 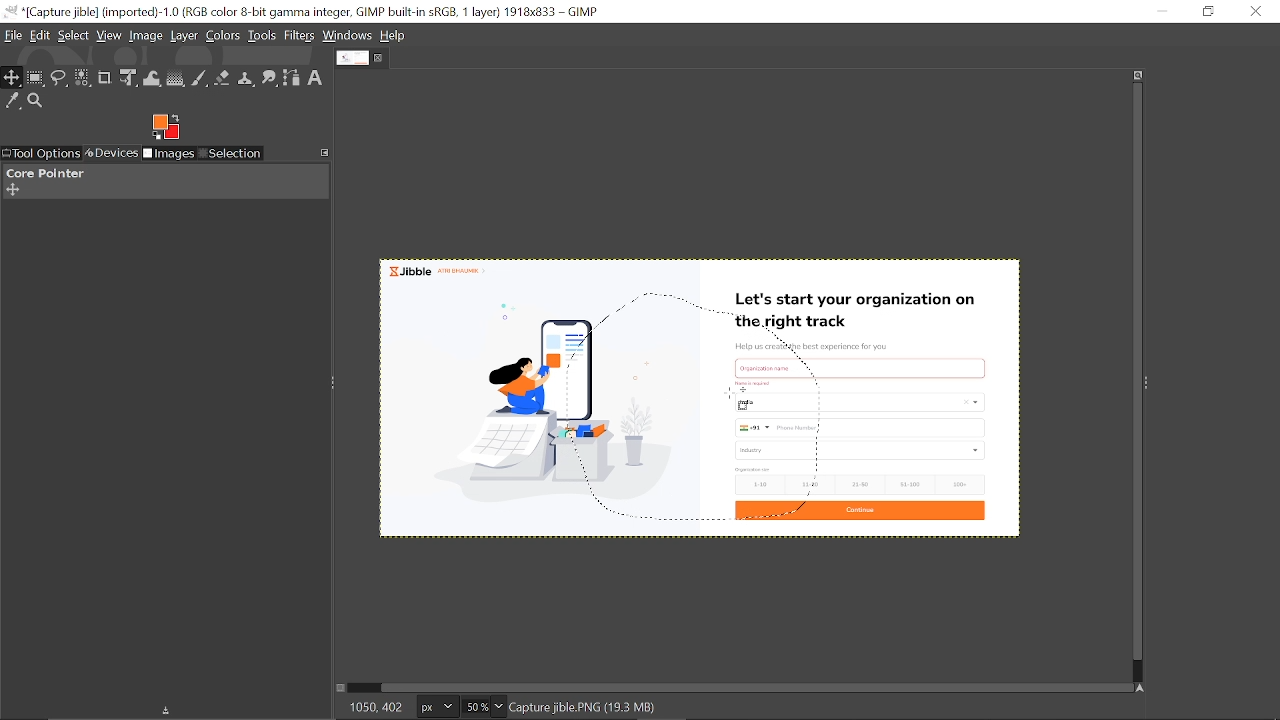 I want to click on Paintbrush tool, so click(x=200, y=80).